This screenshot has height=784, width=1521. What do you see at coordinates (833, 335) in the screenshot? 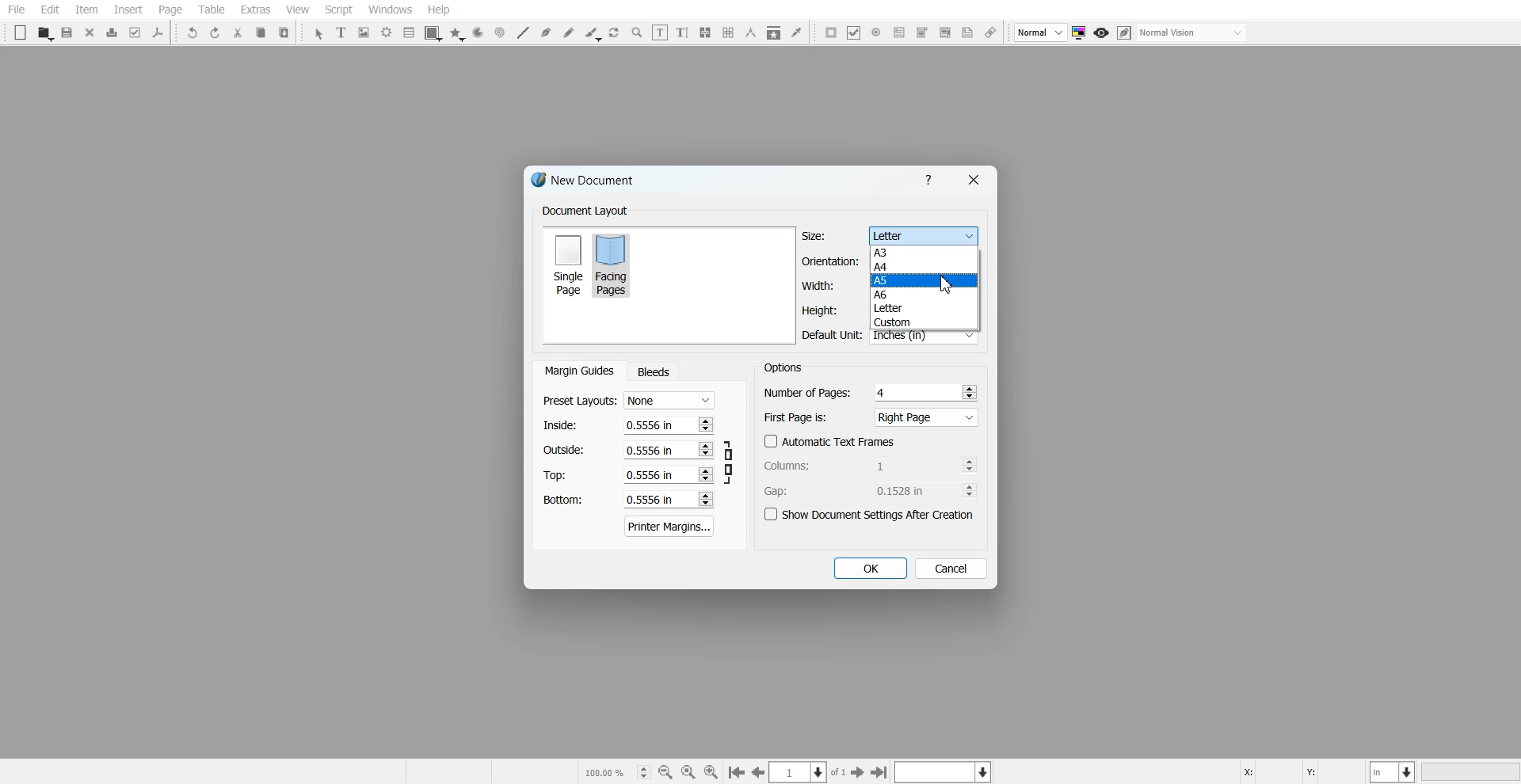
I see `Default Unit in Inches` at bounding box center [833, 335].